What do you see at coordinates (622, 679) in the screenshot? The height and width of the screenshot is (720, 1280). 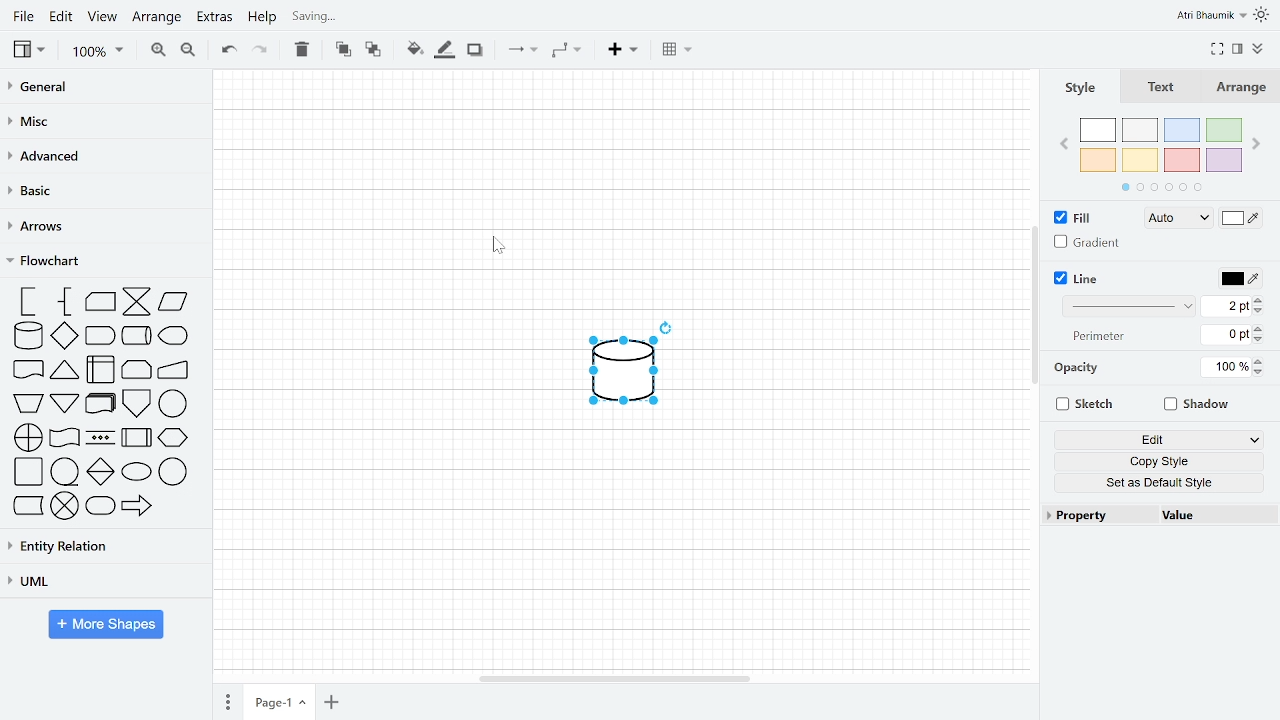 I see `horizontal scrollbar` at bounding box center [622, 679].